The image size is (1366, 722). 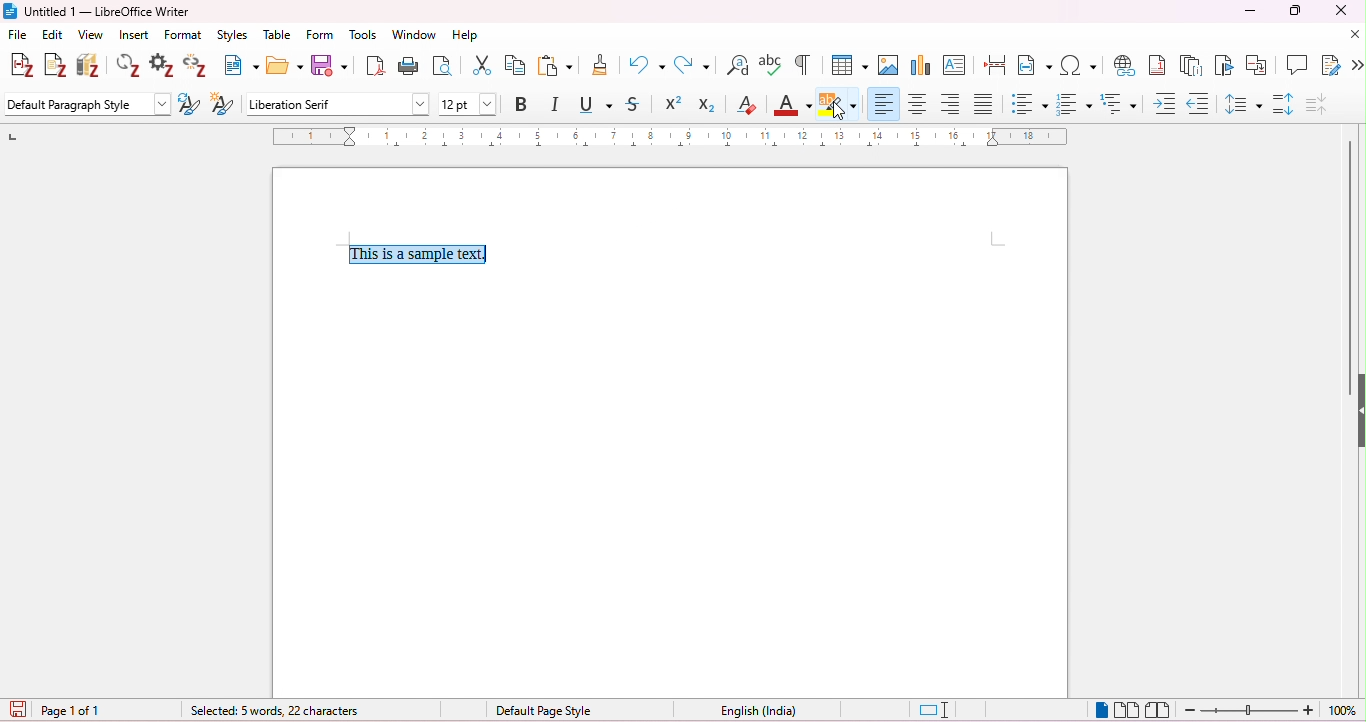 What do you see at coordinates (1296, 64) in the screenshot?
I see `insert comment` at bounding box center [1296, 64].